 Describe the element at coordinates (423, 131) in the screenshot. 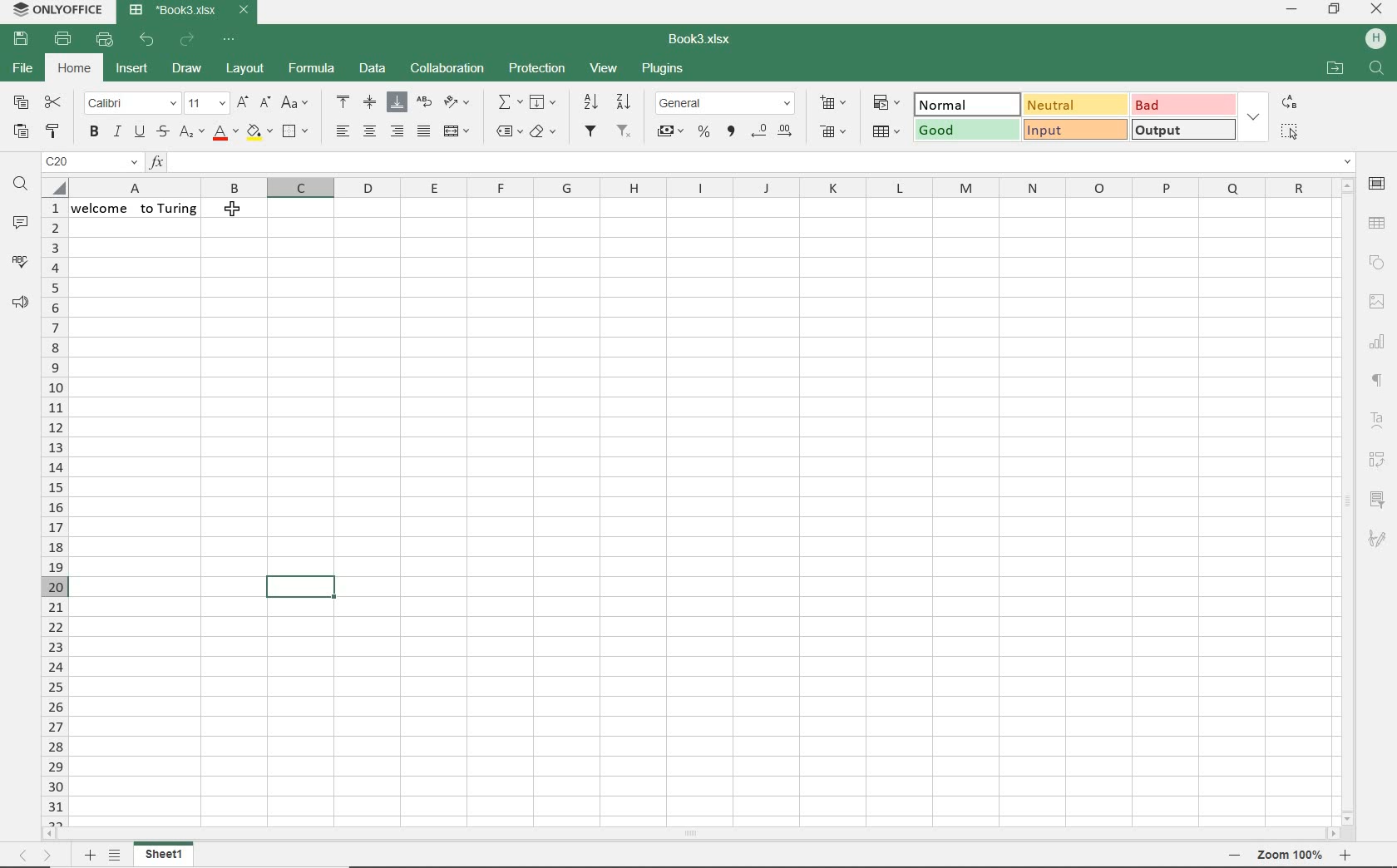

I see `justified` at that location.